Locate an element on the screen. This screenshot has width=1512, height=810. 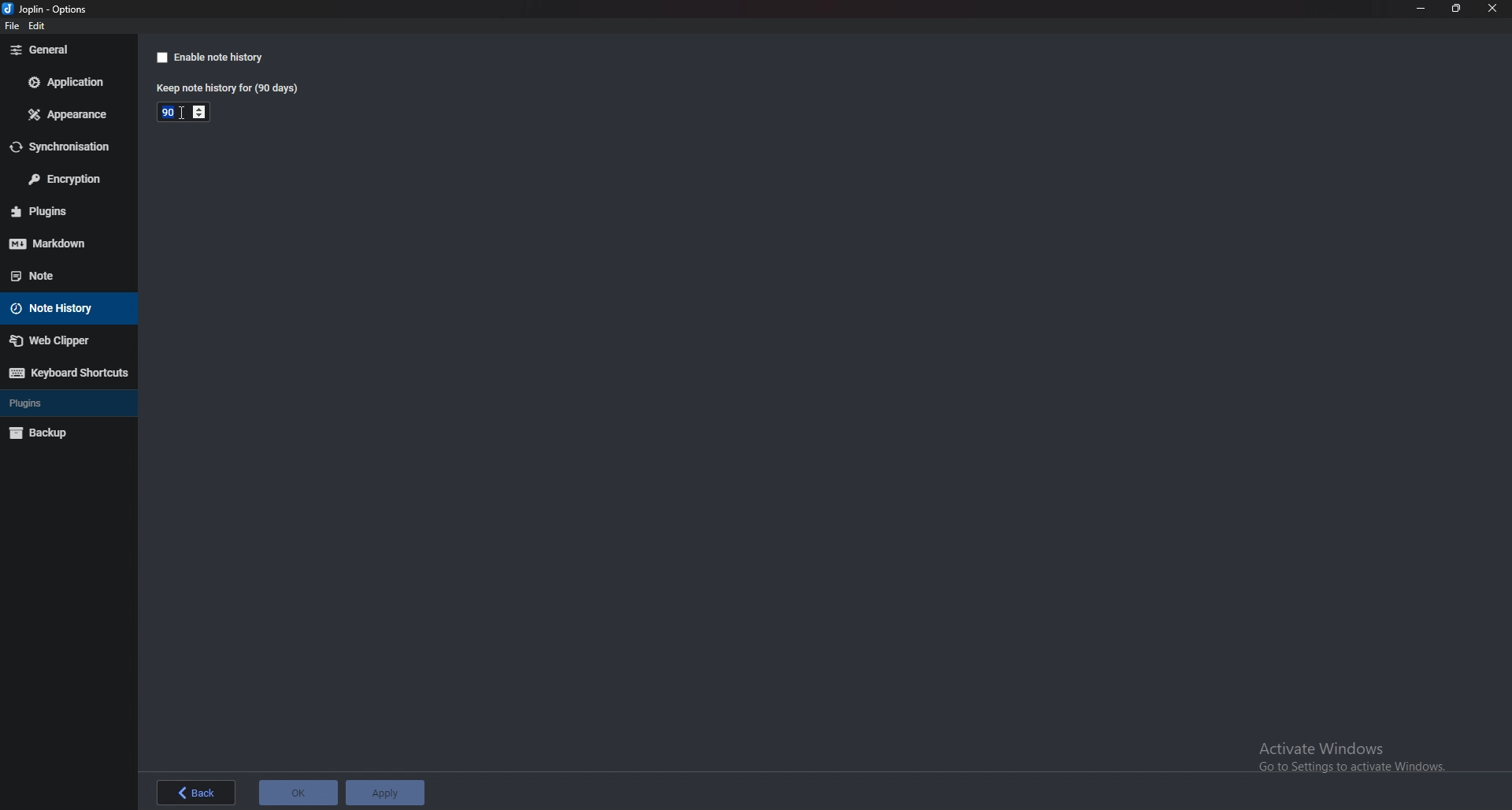
Synchronization is located at coordinates (66, 147).